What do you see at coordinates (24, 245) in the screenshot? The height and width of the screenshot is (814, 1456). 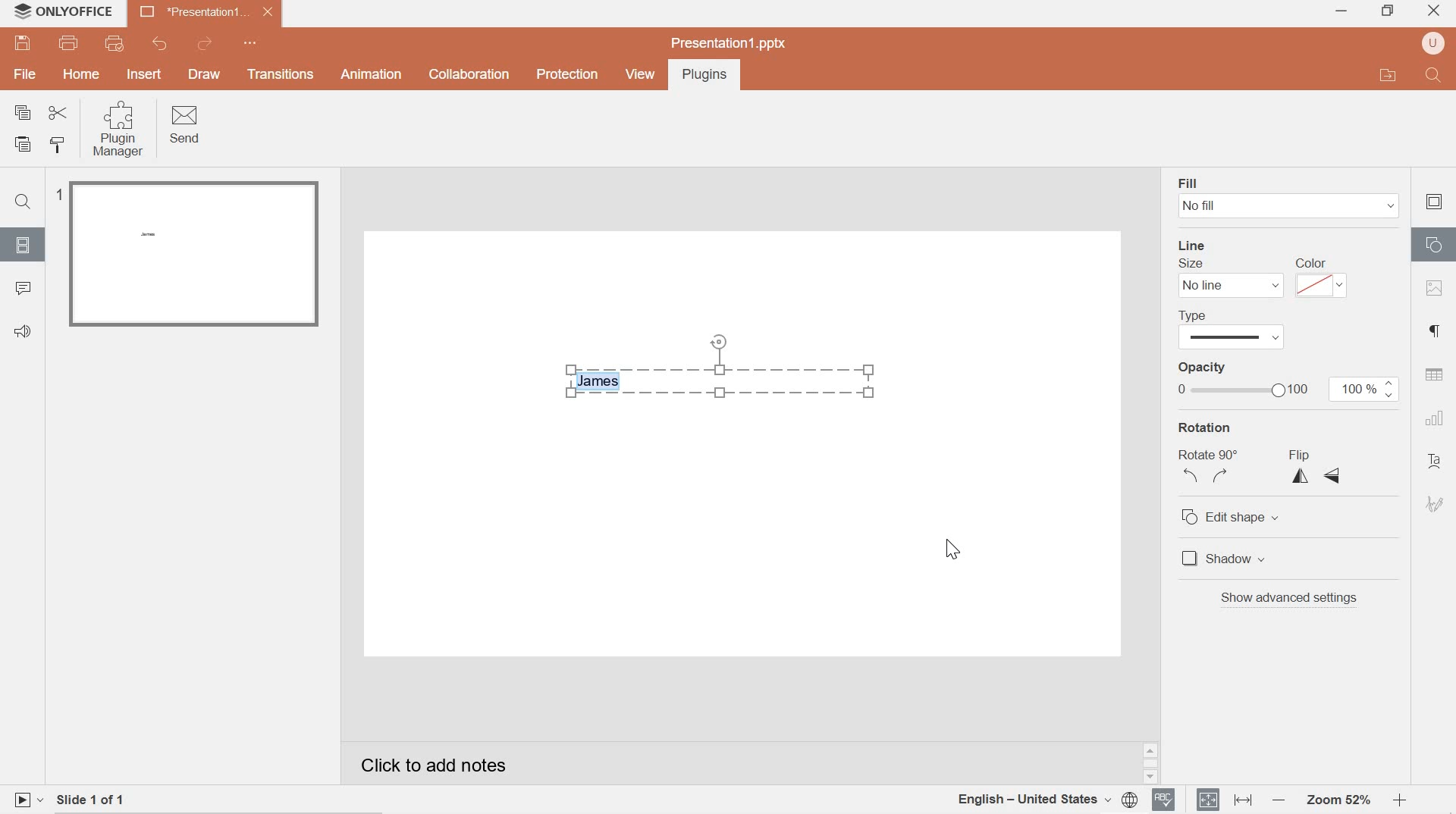 I see `slides` at bounding box center [24, 245].